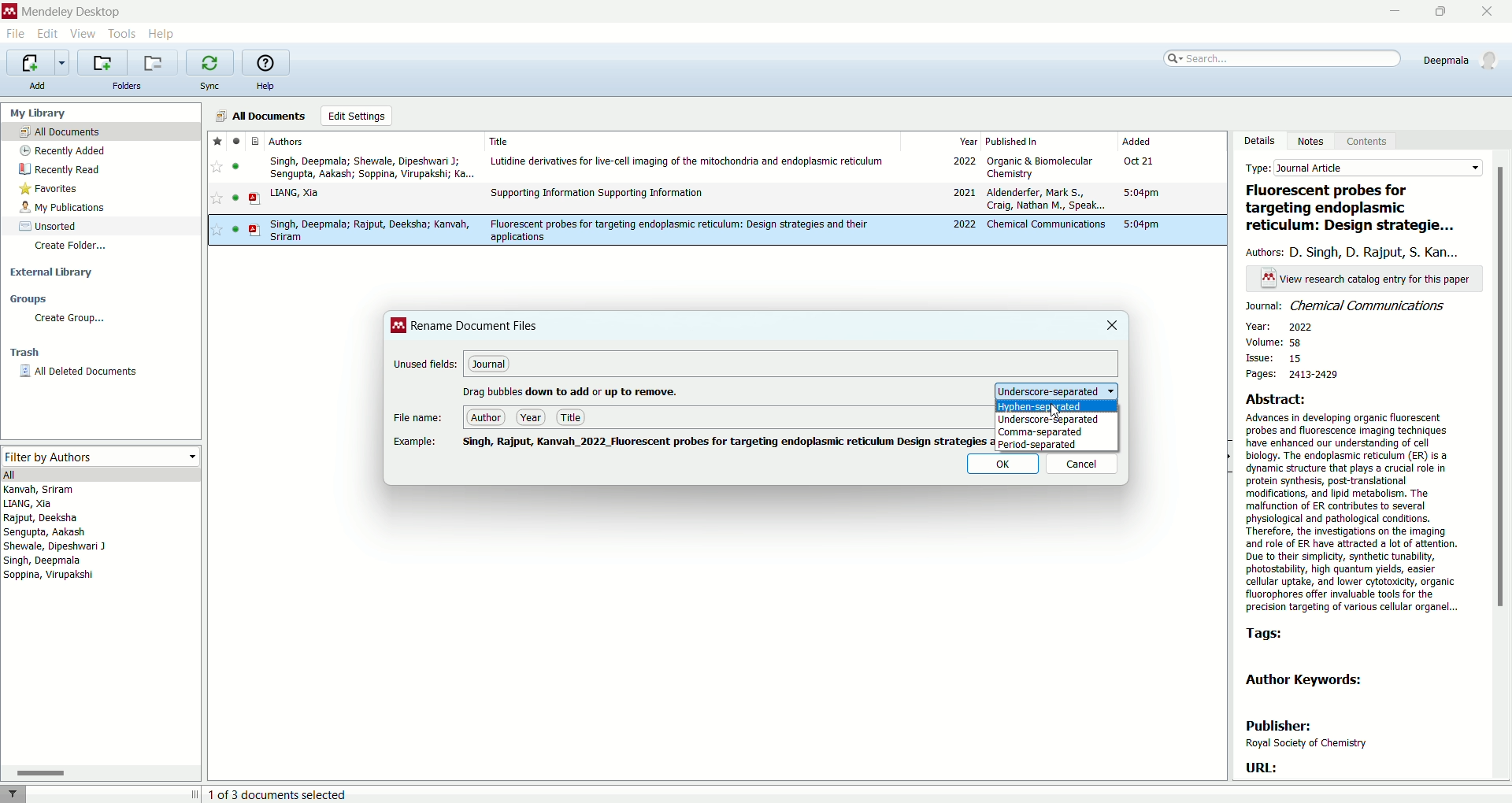  What do you see at coordinates (1362, 503) in the screenshot?
I see `abstract` at bounding box center [1362, 503].